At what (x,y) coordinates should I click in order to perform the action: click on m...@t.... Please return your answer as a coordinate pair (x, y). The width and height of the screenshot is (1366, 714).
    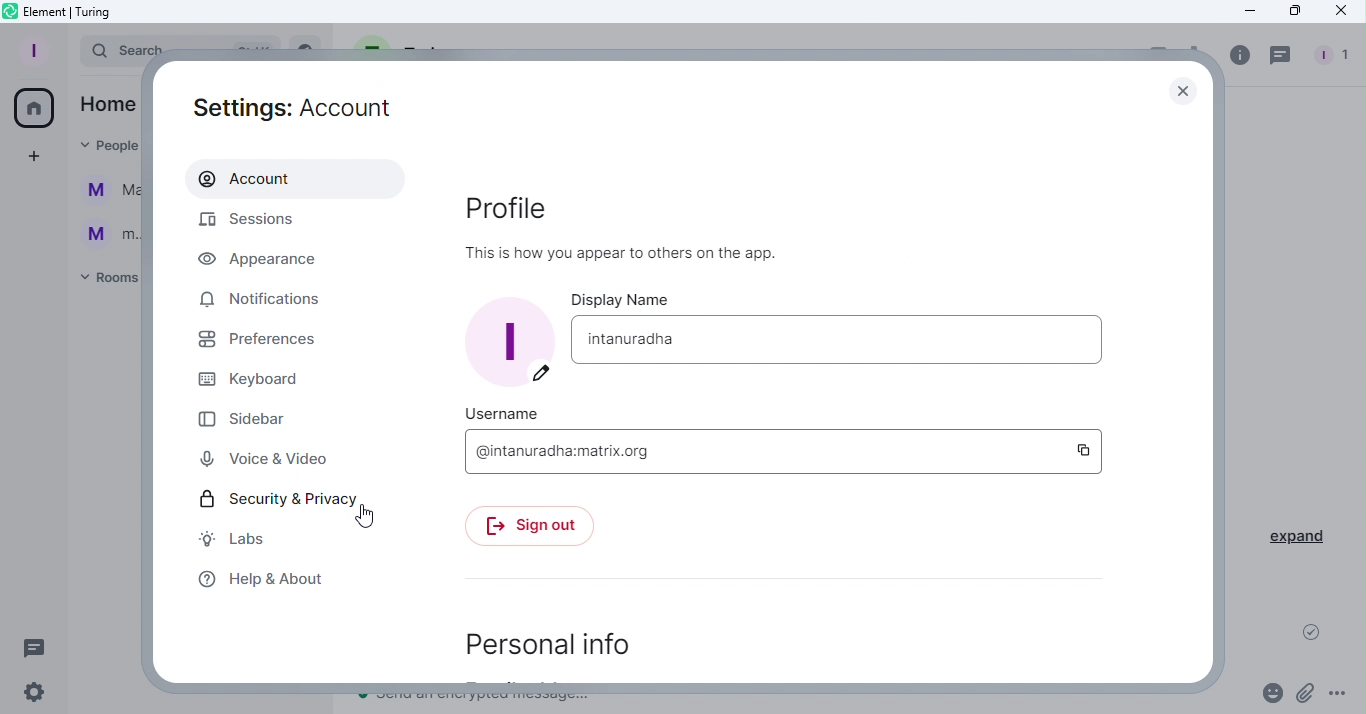
    Looking at the image, I should click on (105, 233).